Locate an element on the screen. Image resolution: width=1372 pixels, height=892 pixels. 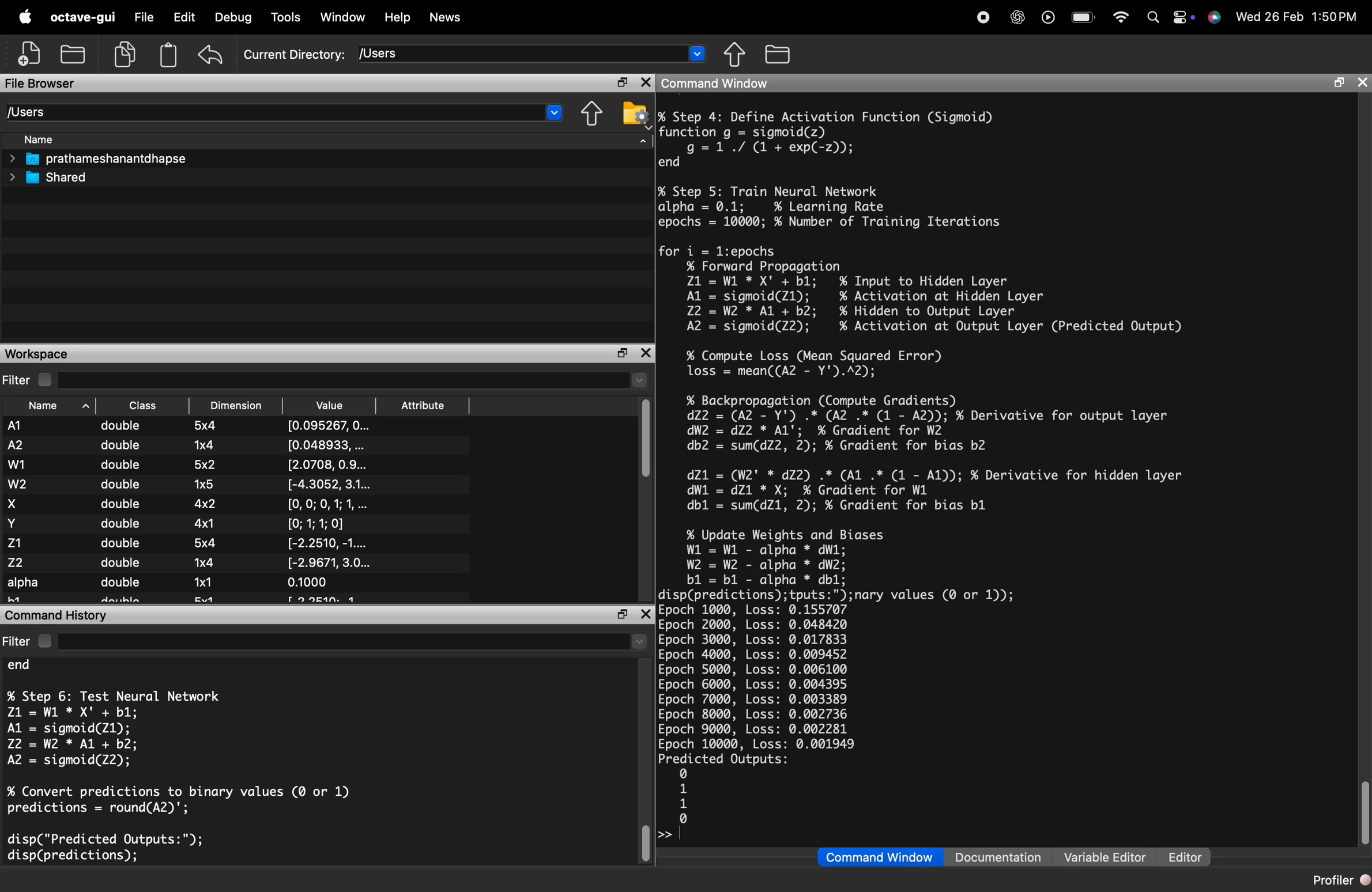
Chat Gpt is located at coordinates (1015, 18).